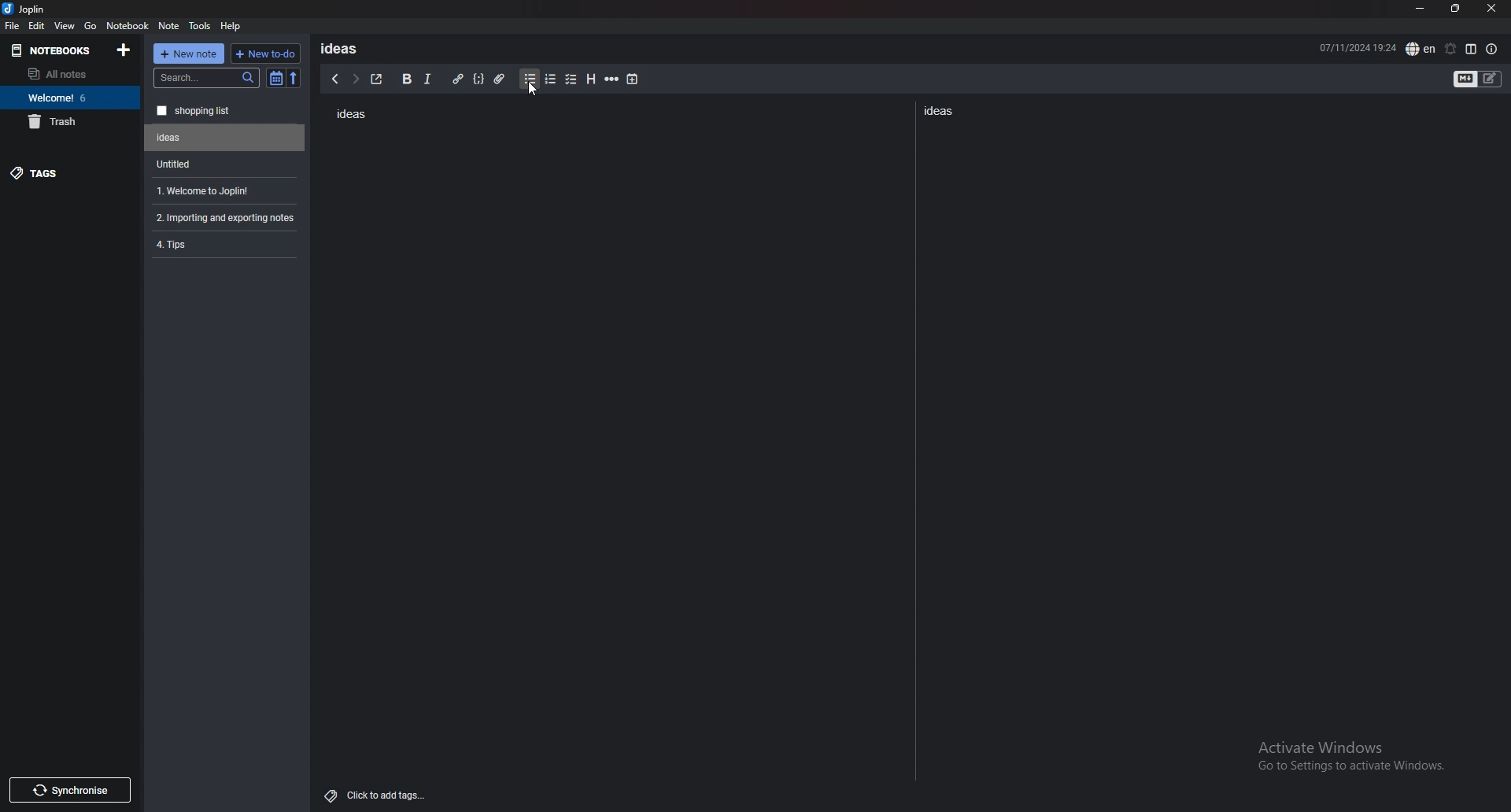 Image resolution: width=1511 pixels, height=812 pixels. I want to click on all notes, so click(67, 74).